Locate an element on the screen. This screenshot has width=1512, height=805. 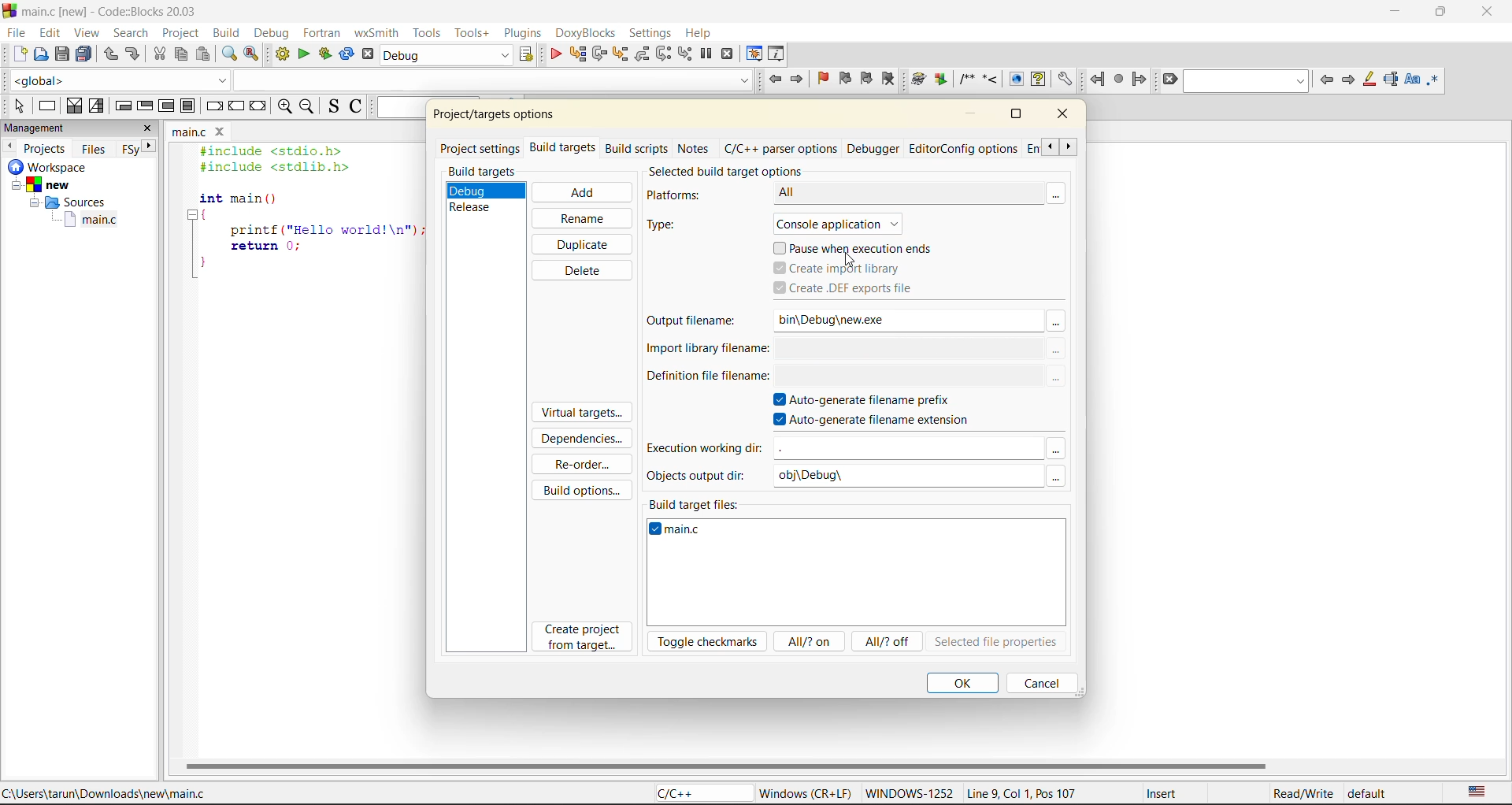
bin\Debug\new.exe is located at coordinates (893, 319).